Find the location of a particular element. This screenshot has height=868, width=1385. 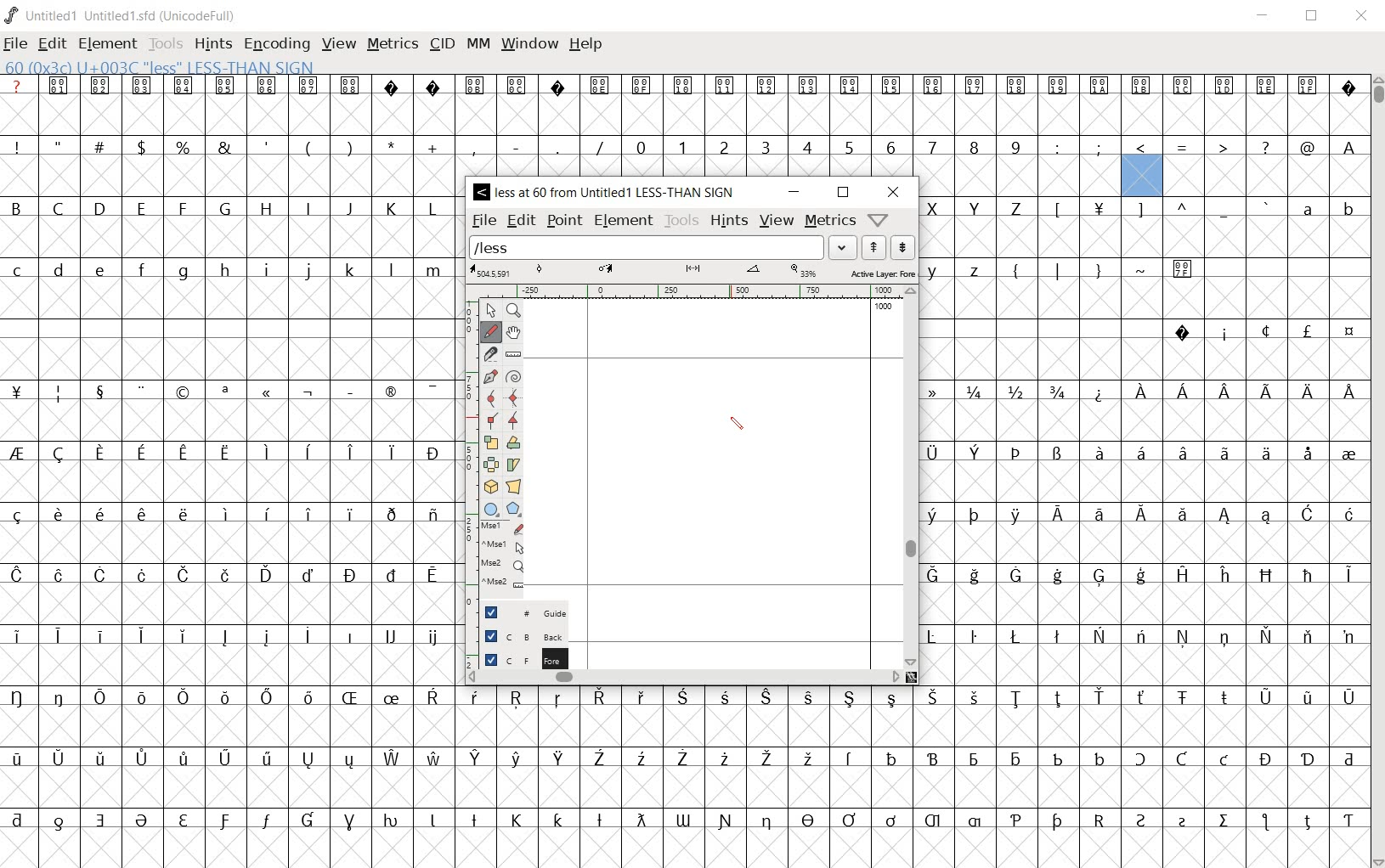

close is located at coordinates (1363, 17).